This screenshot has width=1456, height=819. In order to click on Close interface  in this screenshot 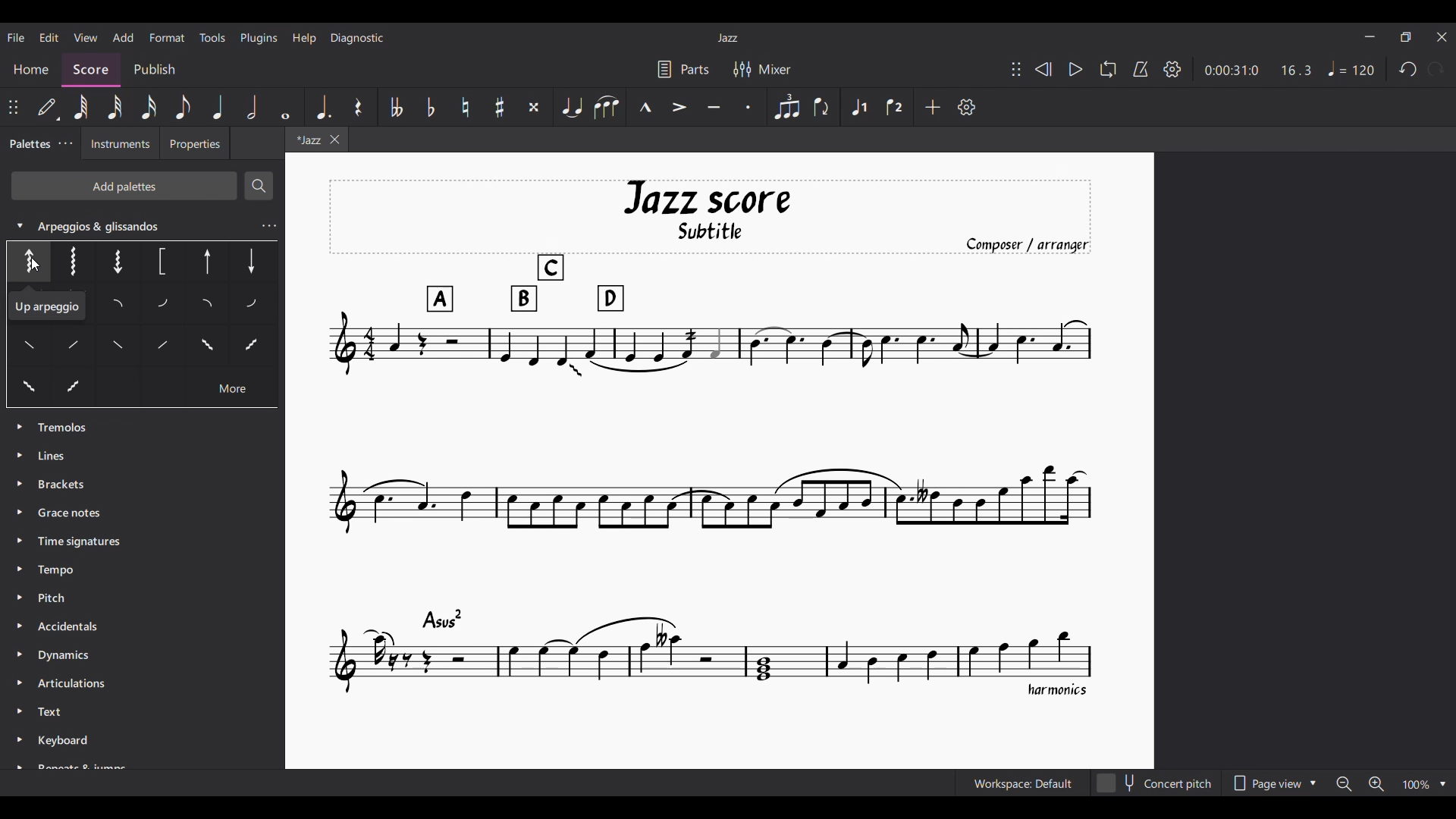, I will do `click(1442, 37)`.